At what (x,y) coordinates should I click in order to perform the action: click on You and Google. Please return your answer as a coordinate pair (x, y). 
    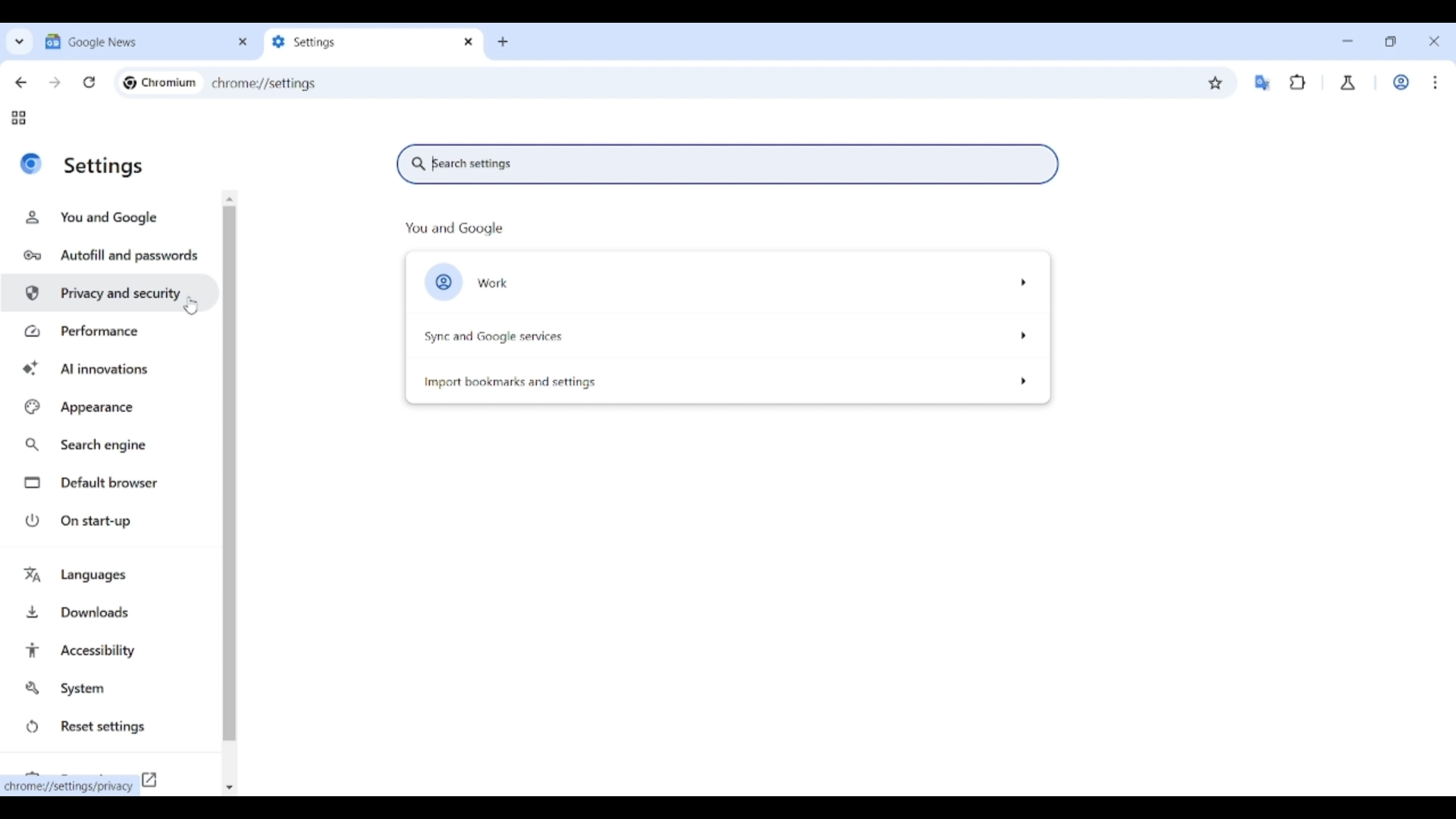
    Looking at the image, I should click on (454, 229).